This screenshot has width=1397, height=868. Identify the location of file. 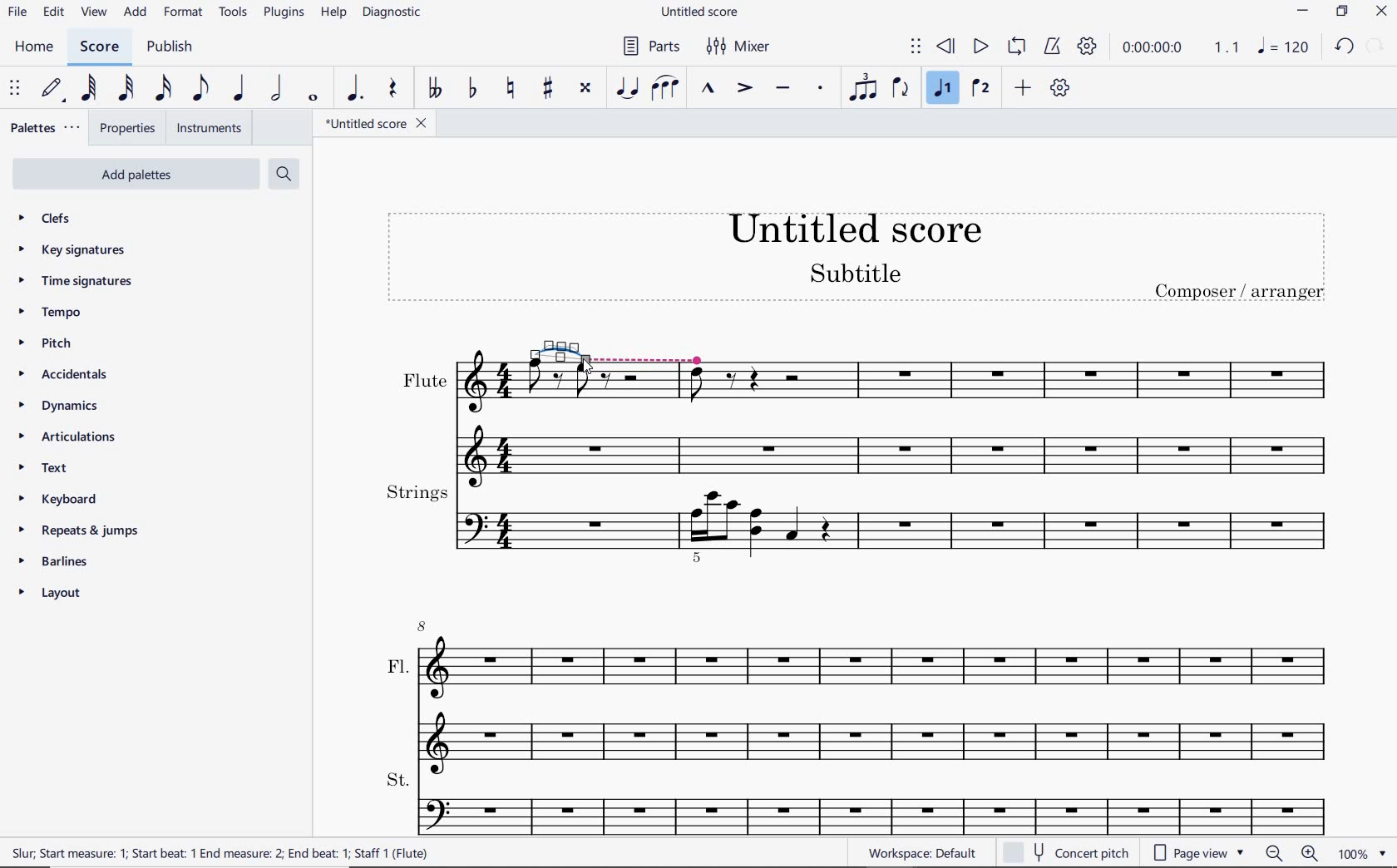
(21, 12).